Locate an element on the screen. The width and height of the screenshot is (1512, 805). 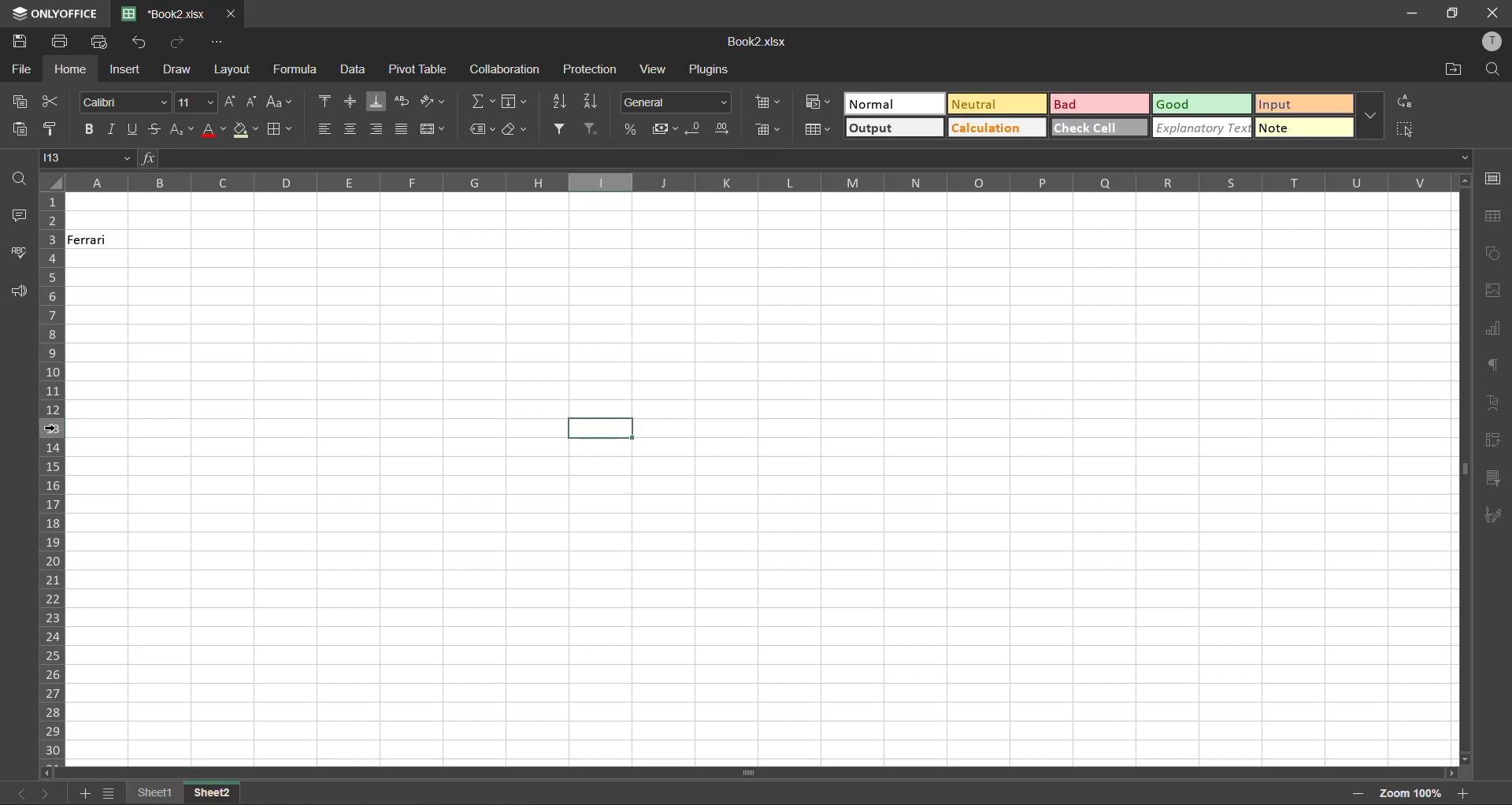
sheet names is located at coordinates (156, 793).